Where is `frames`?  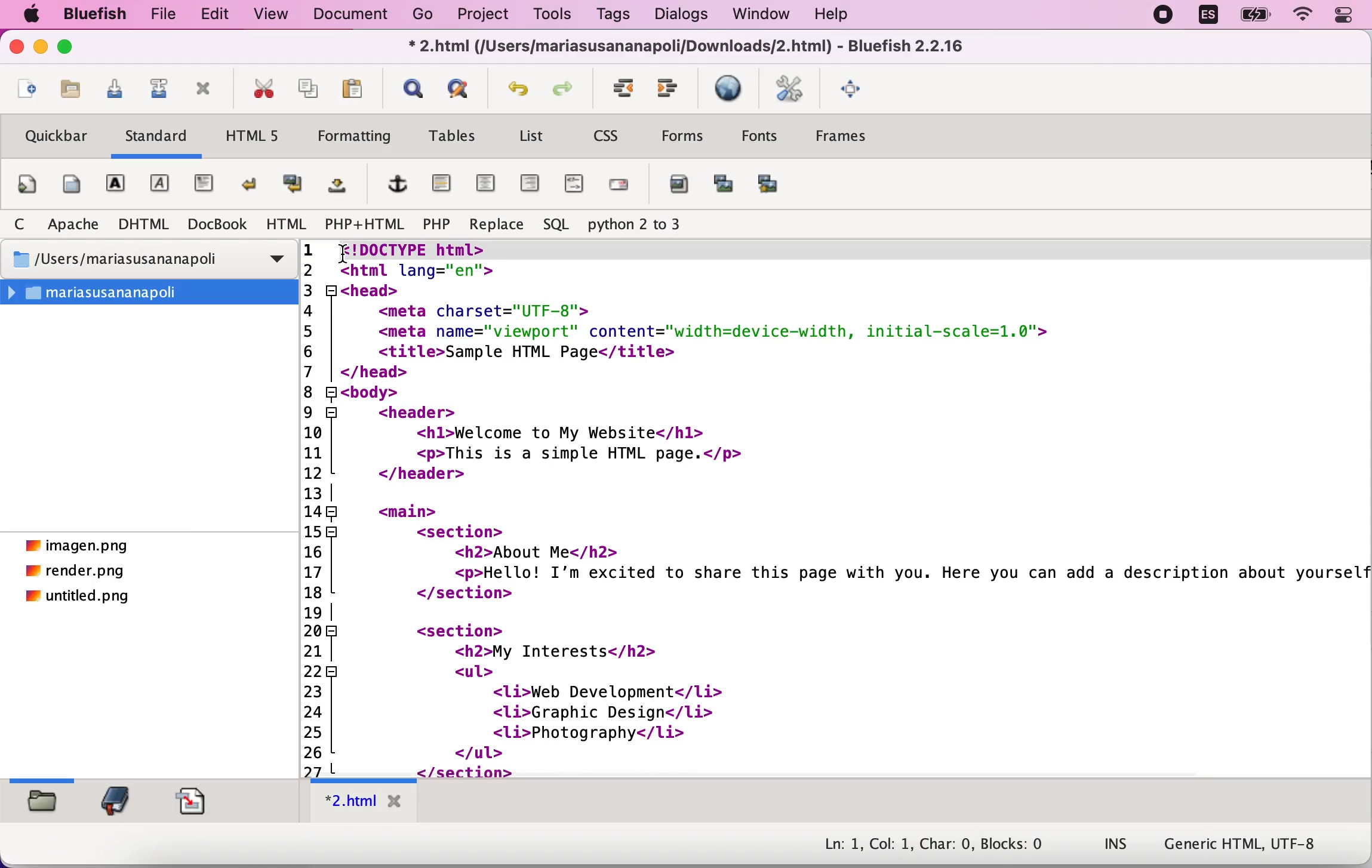 frames is located at coordinates (854, 139).